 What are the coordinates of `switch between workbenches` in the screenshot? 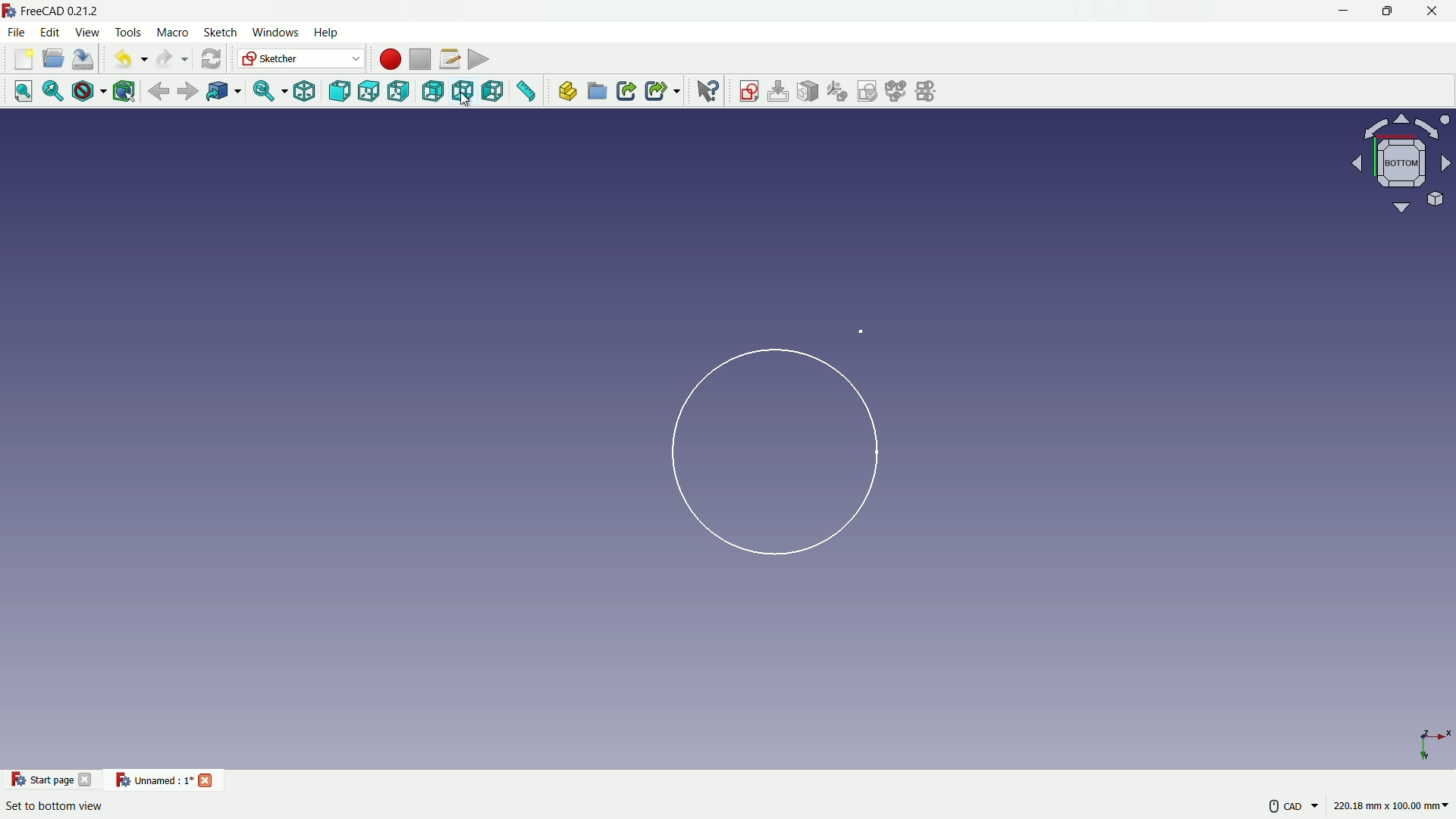 It's located at (301, 59).